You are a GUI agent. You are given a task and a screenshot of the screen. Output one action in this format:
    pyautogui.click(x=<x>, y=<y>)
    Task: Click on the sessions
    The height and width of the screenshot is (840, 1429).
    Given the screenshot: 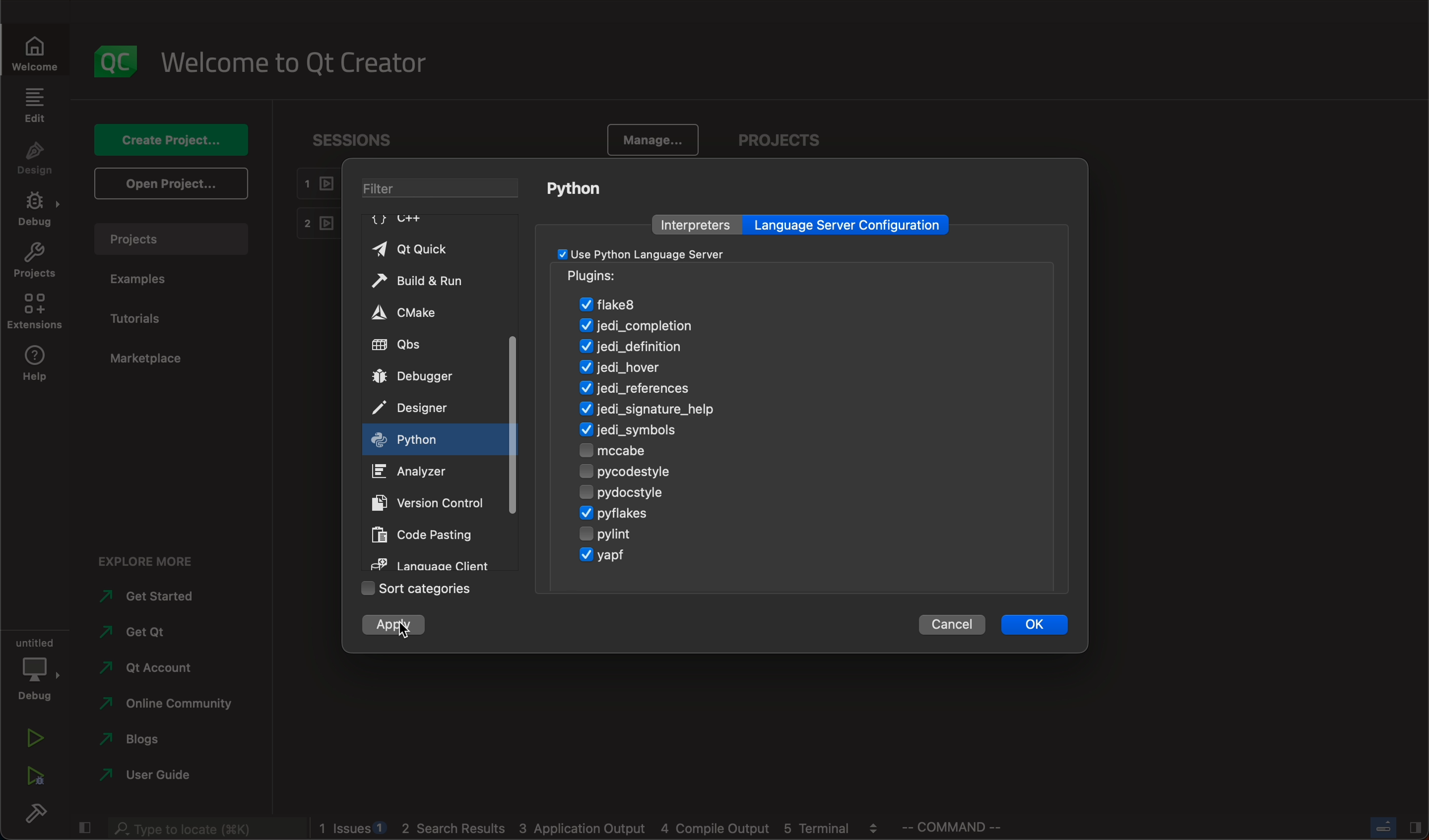 What is the action you would take?
    pyautogui.click(x=363, y=141)
    